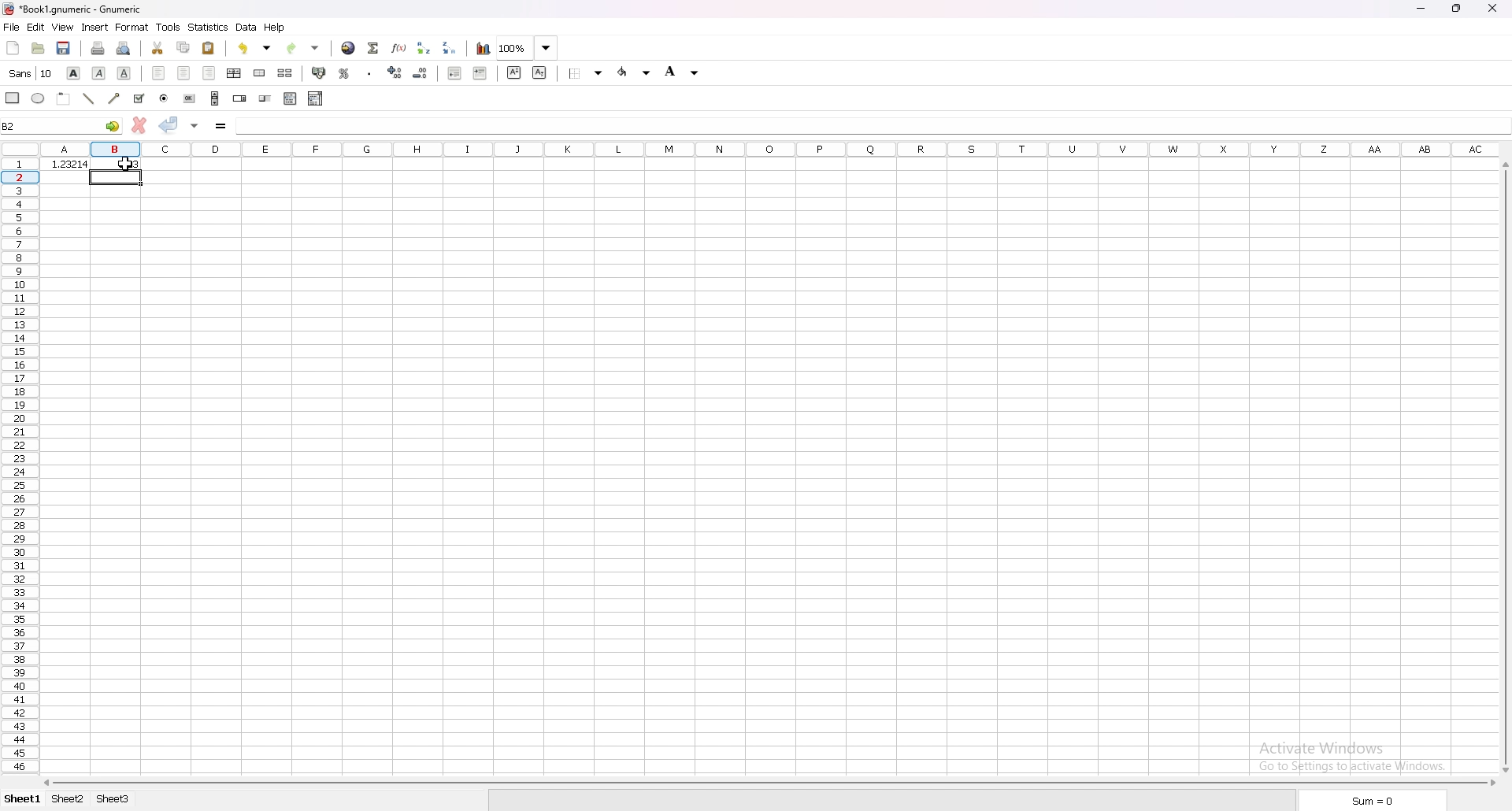 The image size is (1512, 811). I want to click on decrease indent, so click(454, 74).